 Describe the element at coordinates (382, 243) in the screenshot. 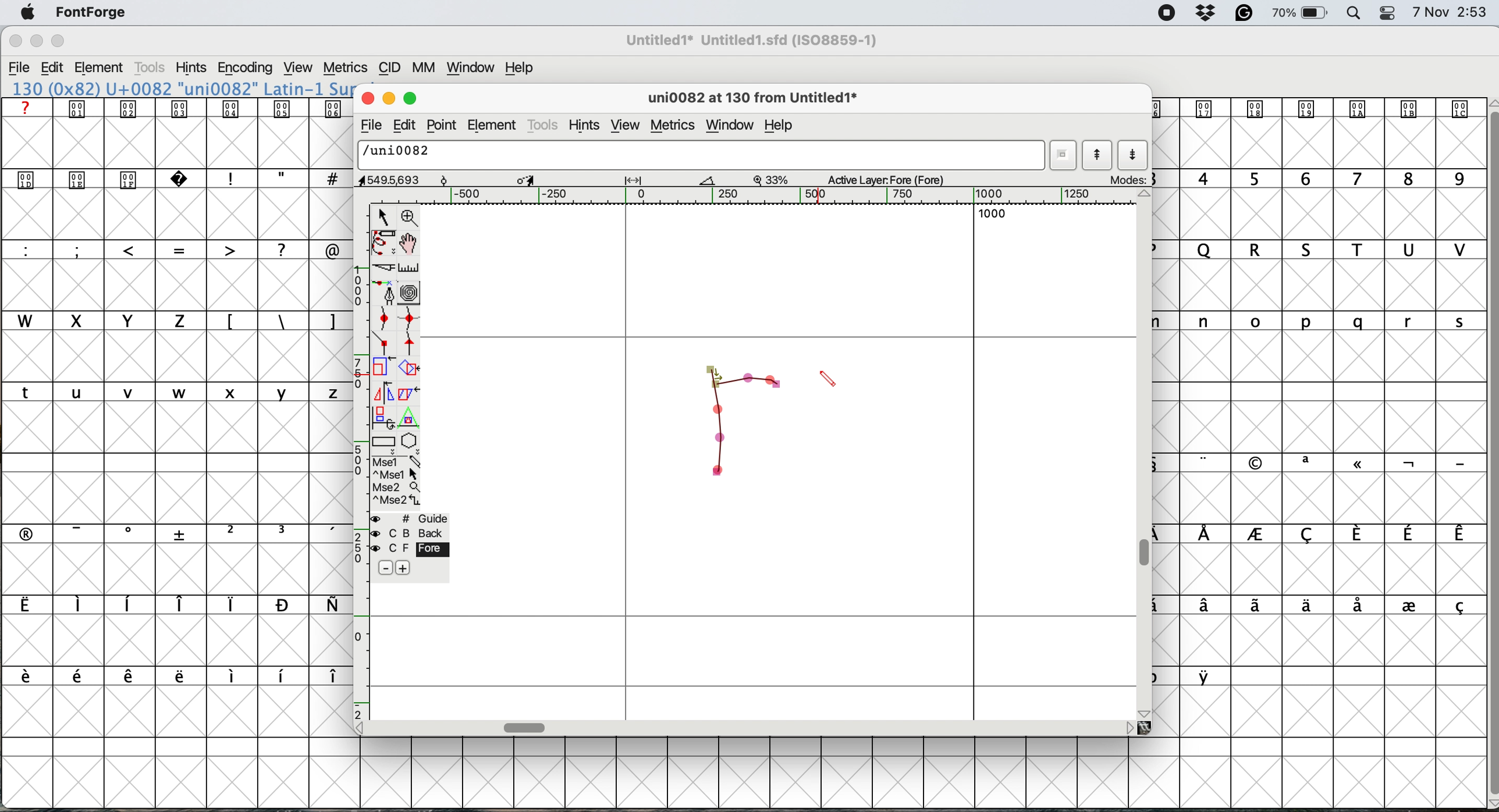

I see `draw freehand curve` at that location.